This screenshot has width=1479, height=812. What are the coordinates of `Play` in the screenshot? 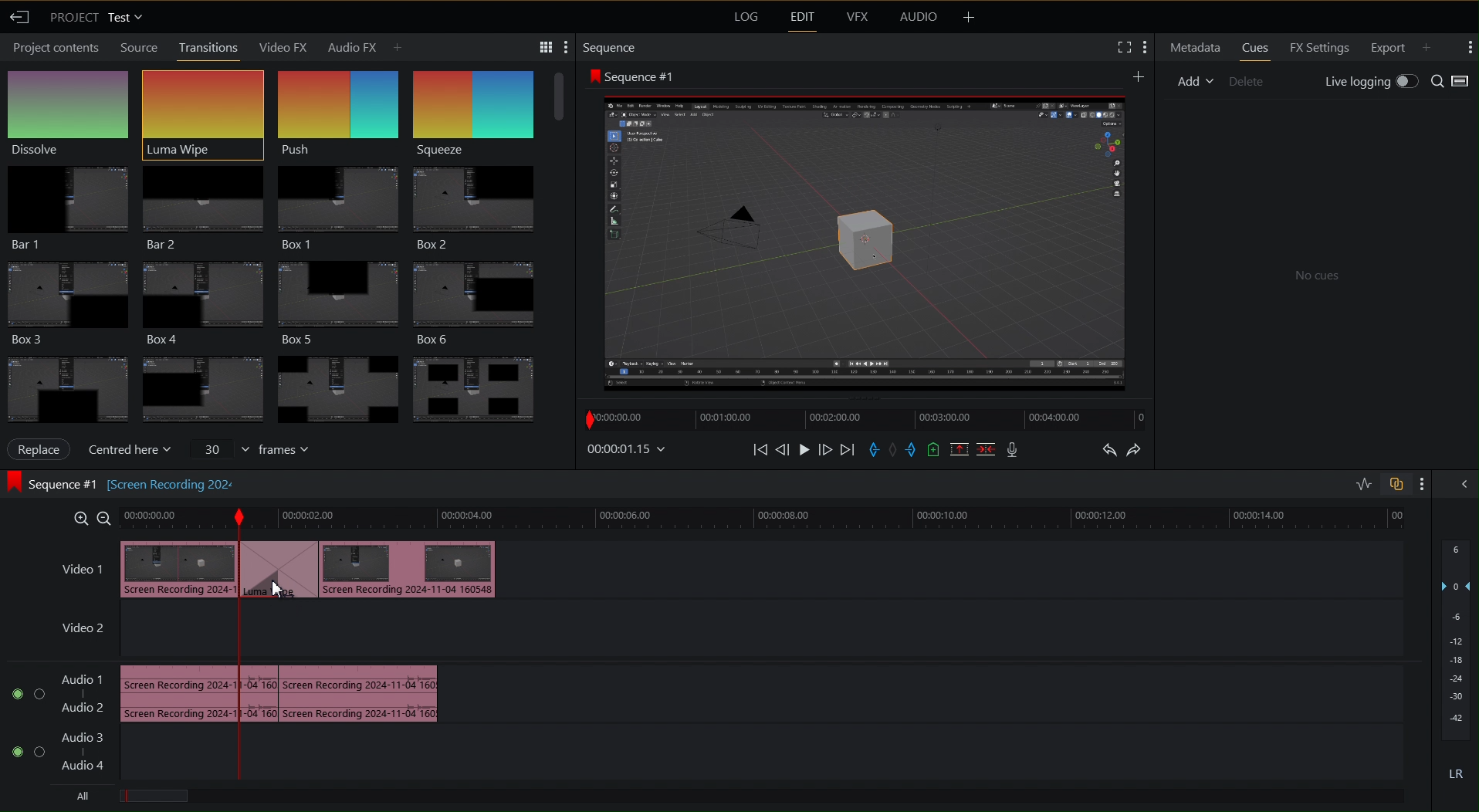 It's located at (805, 449).